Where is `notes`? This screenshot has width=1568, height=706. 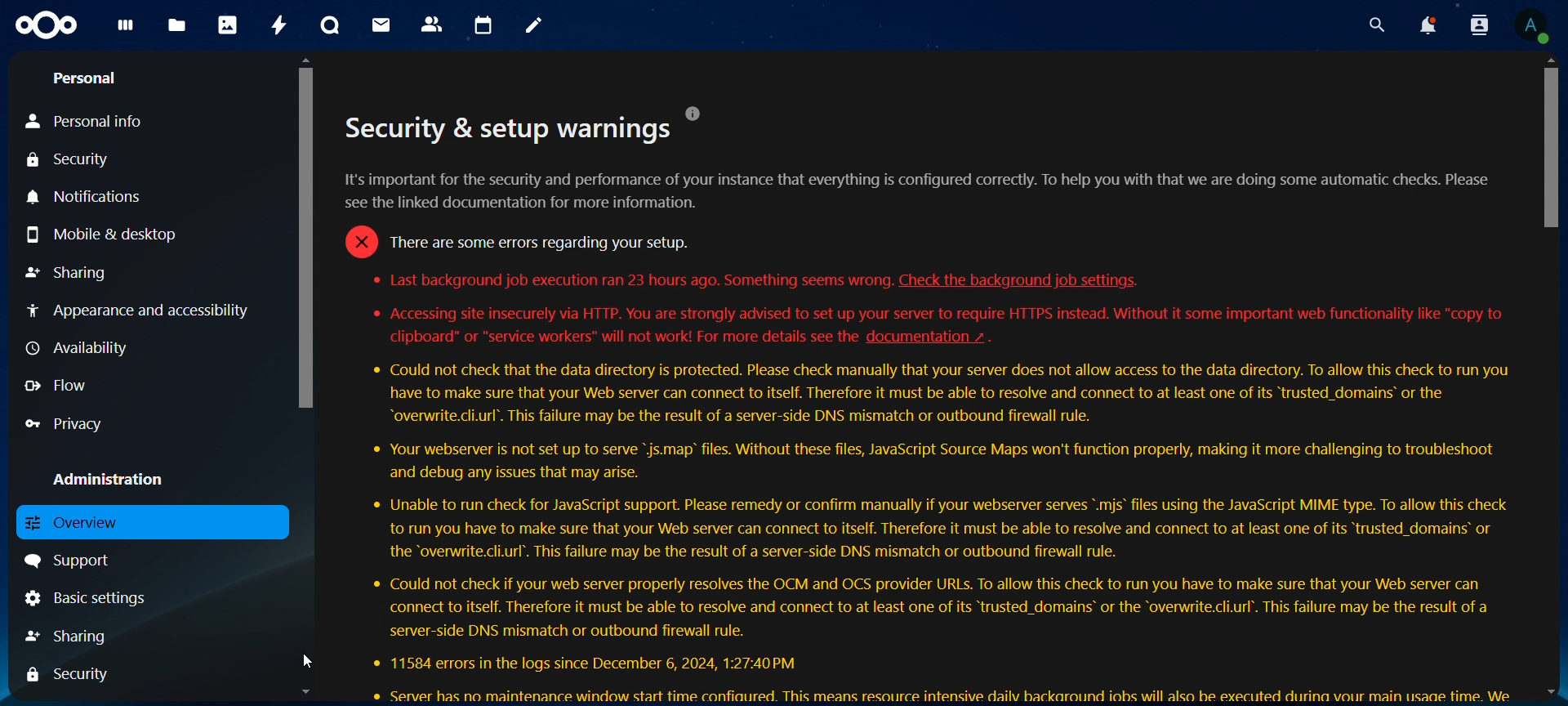 notes is located at coordinates (533, 26).